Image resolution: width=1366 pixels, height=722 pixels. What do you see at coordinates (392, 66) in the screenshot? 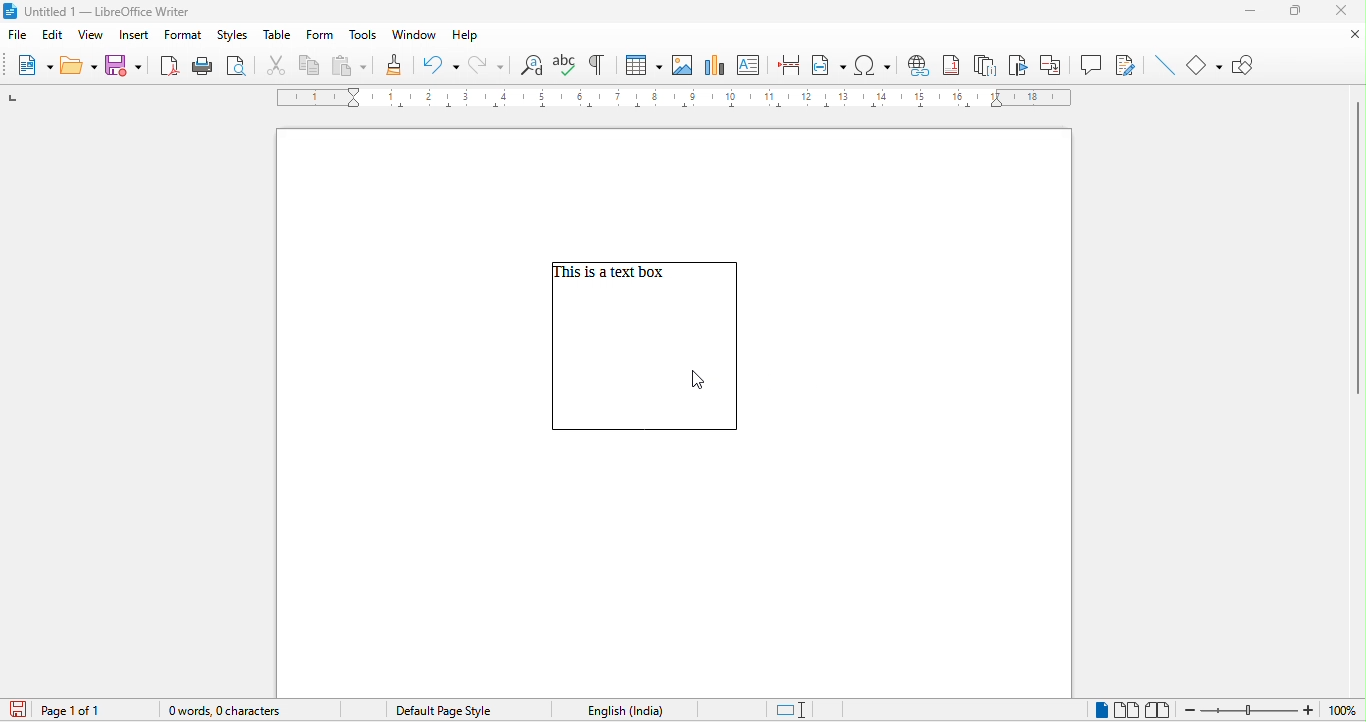
I see `clone formatting` at bounding box center [392, 66].